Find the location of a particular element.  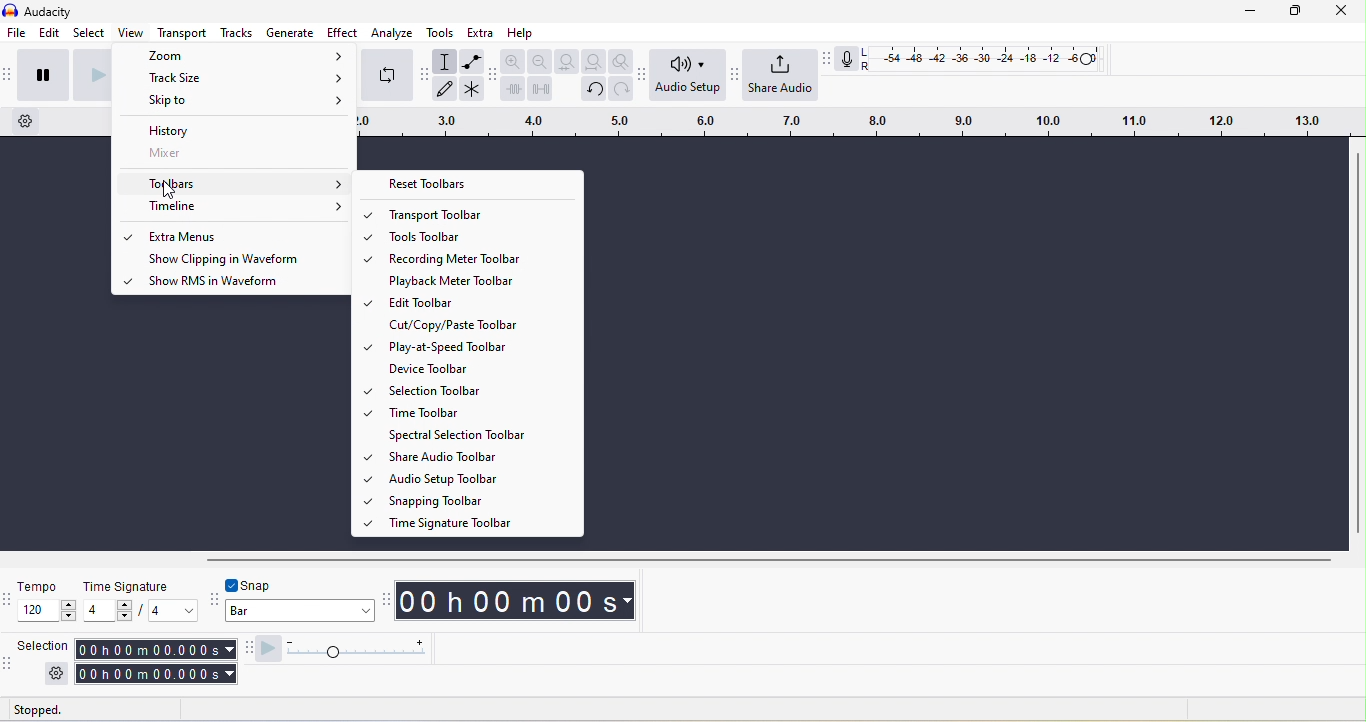

help is located at coordinates (521, 33).